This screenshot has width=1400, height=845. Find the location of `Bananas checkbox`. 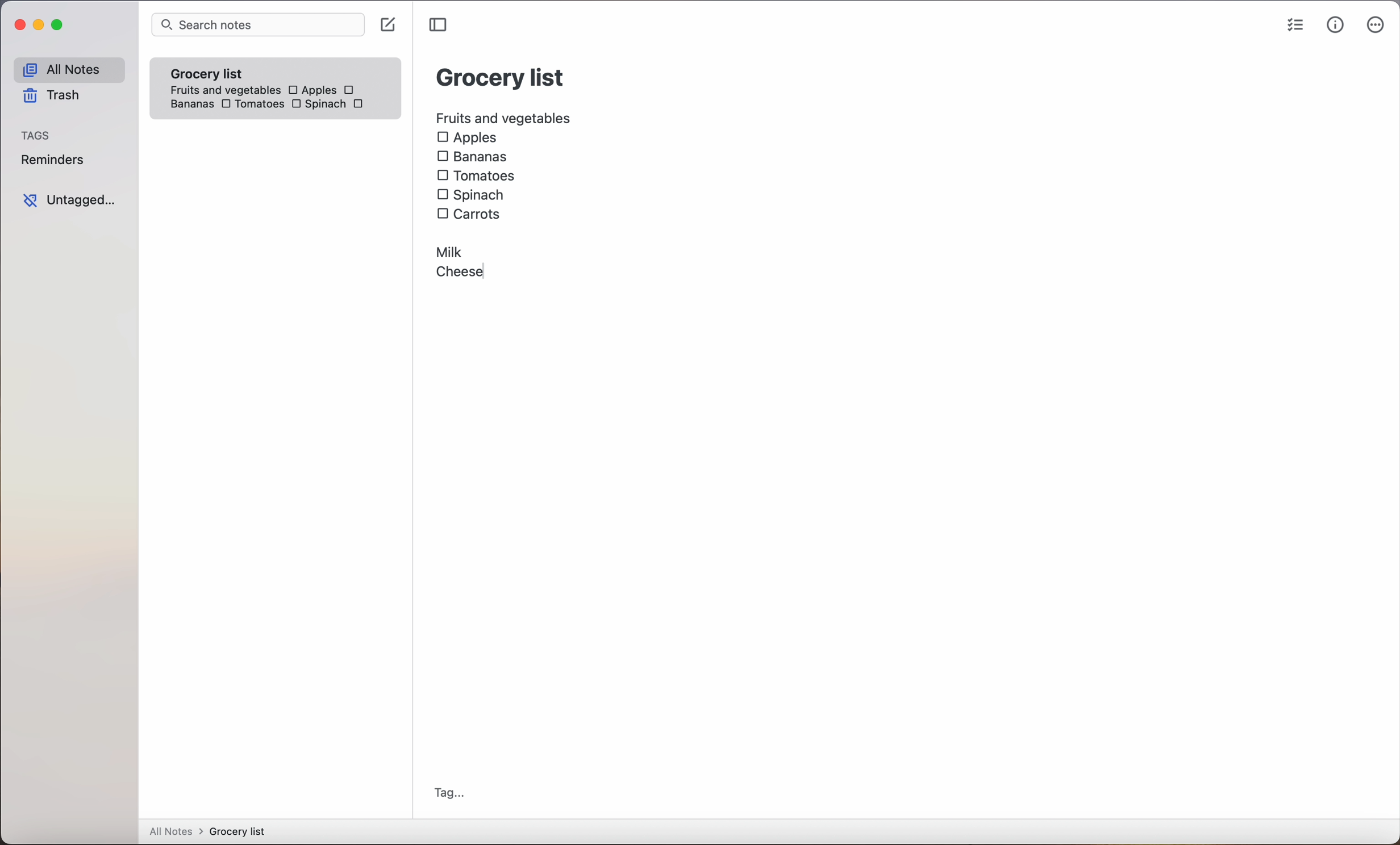

Bananas checkbox is located at coordinates (474, 158).